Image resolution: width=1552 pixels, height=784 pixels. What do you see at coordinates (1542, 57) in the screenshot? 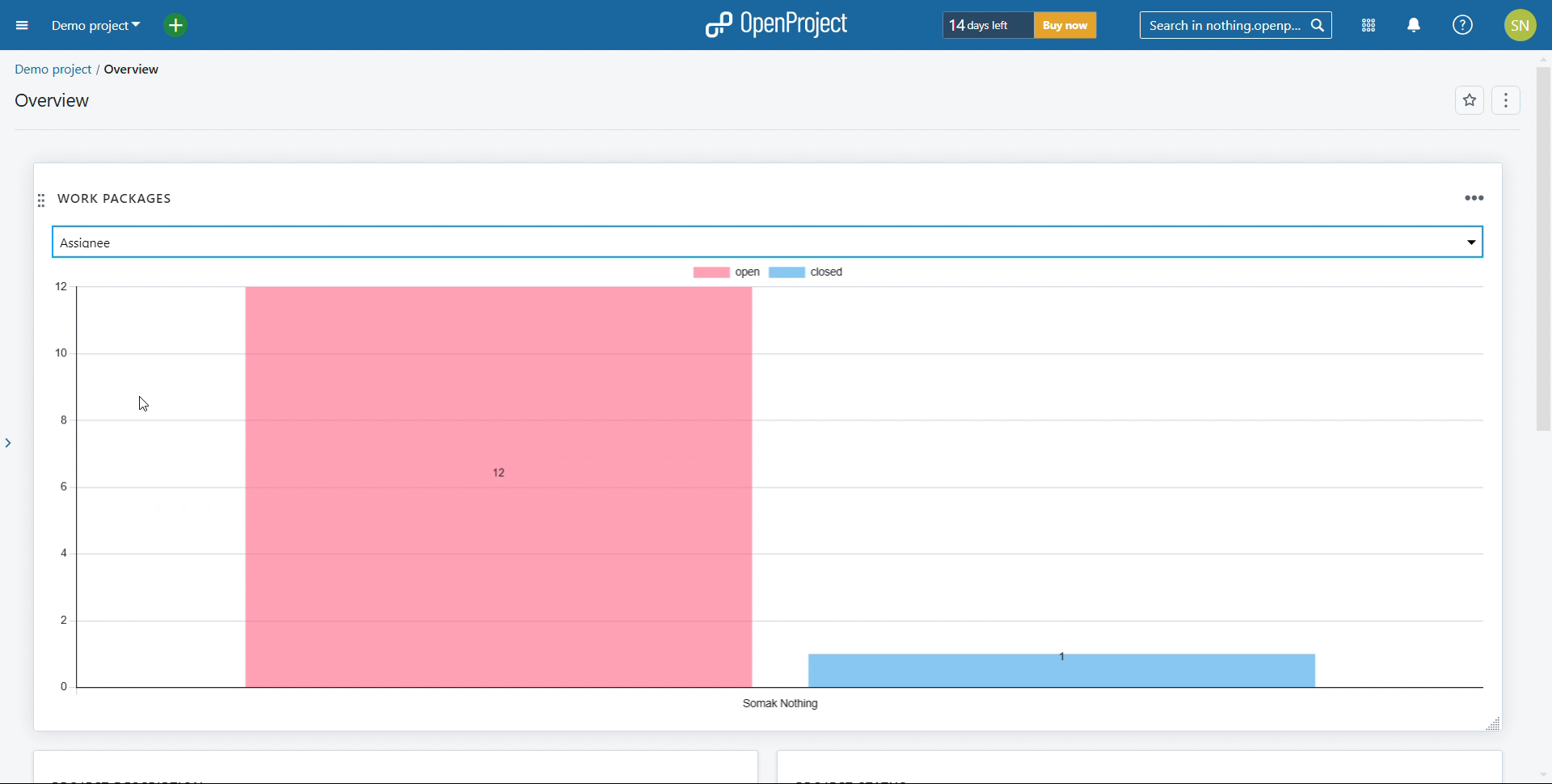
I see `scroll up` at bounding box center [1542, 57].